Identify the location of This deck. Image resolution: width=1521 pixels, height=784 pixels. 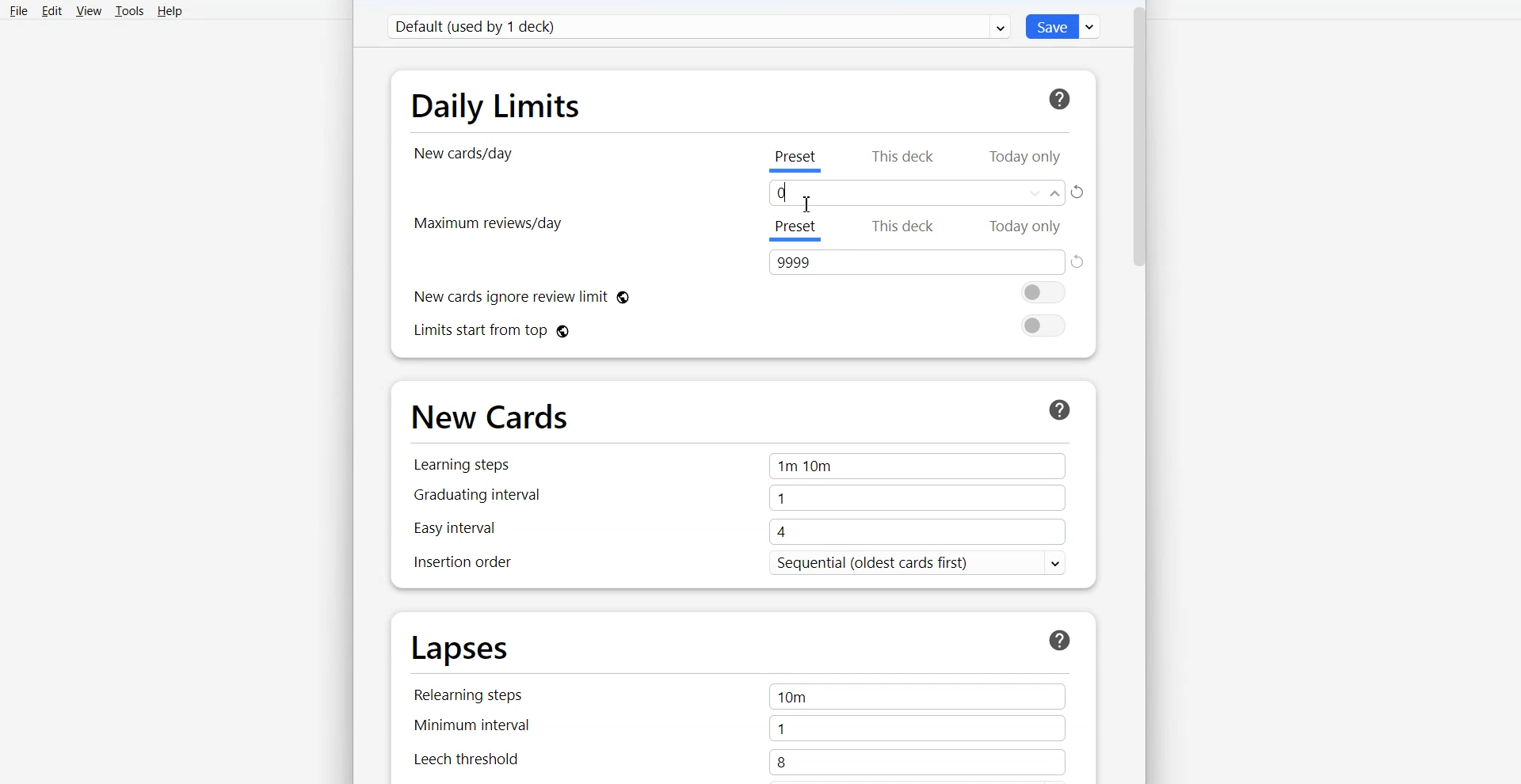
(905, 157).